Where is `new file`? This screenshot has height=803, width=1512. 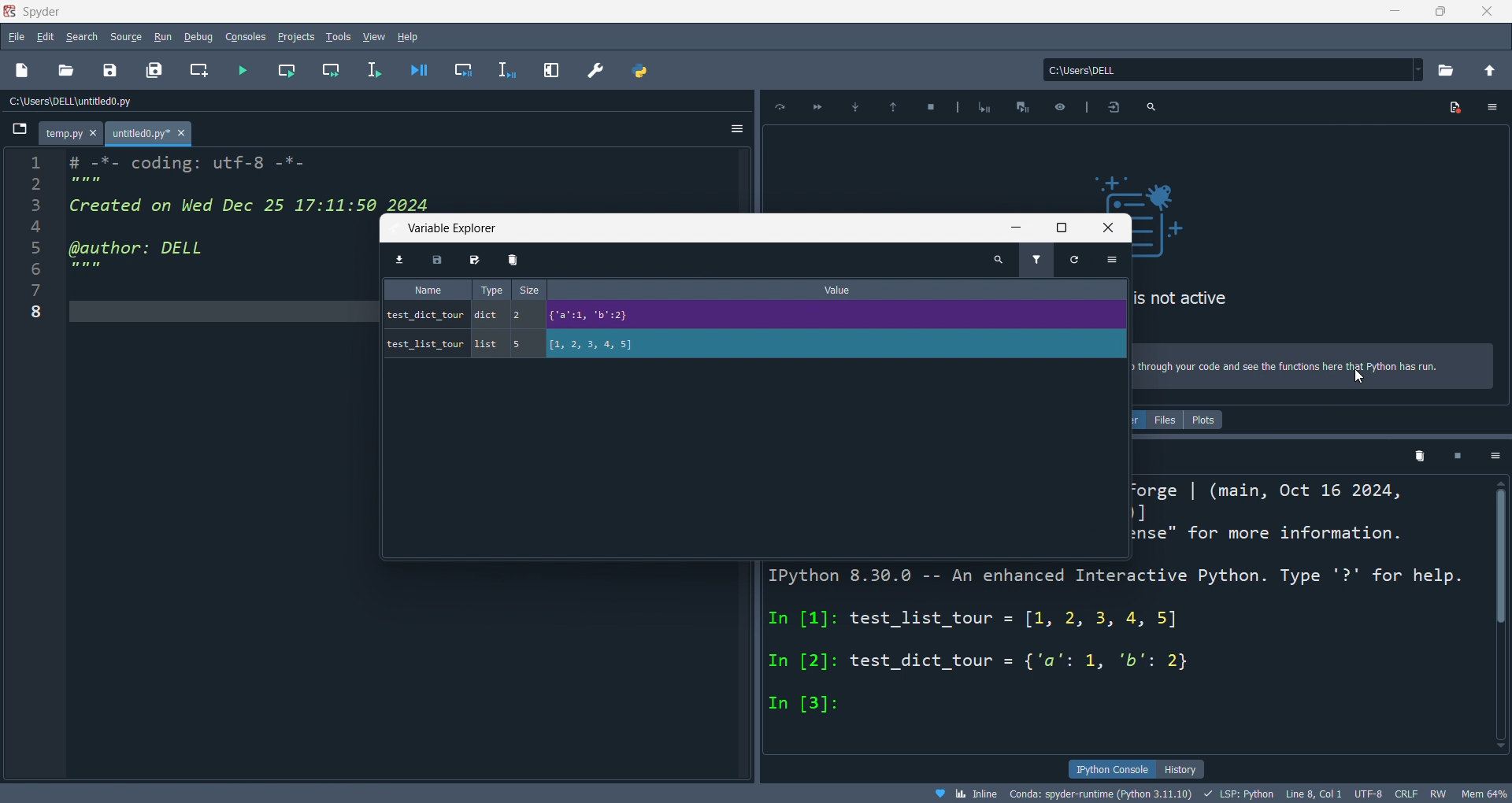 new file is located at coordinates (27, 70).